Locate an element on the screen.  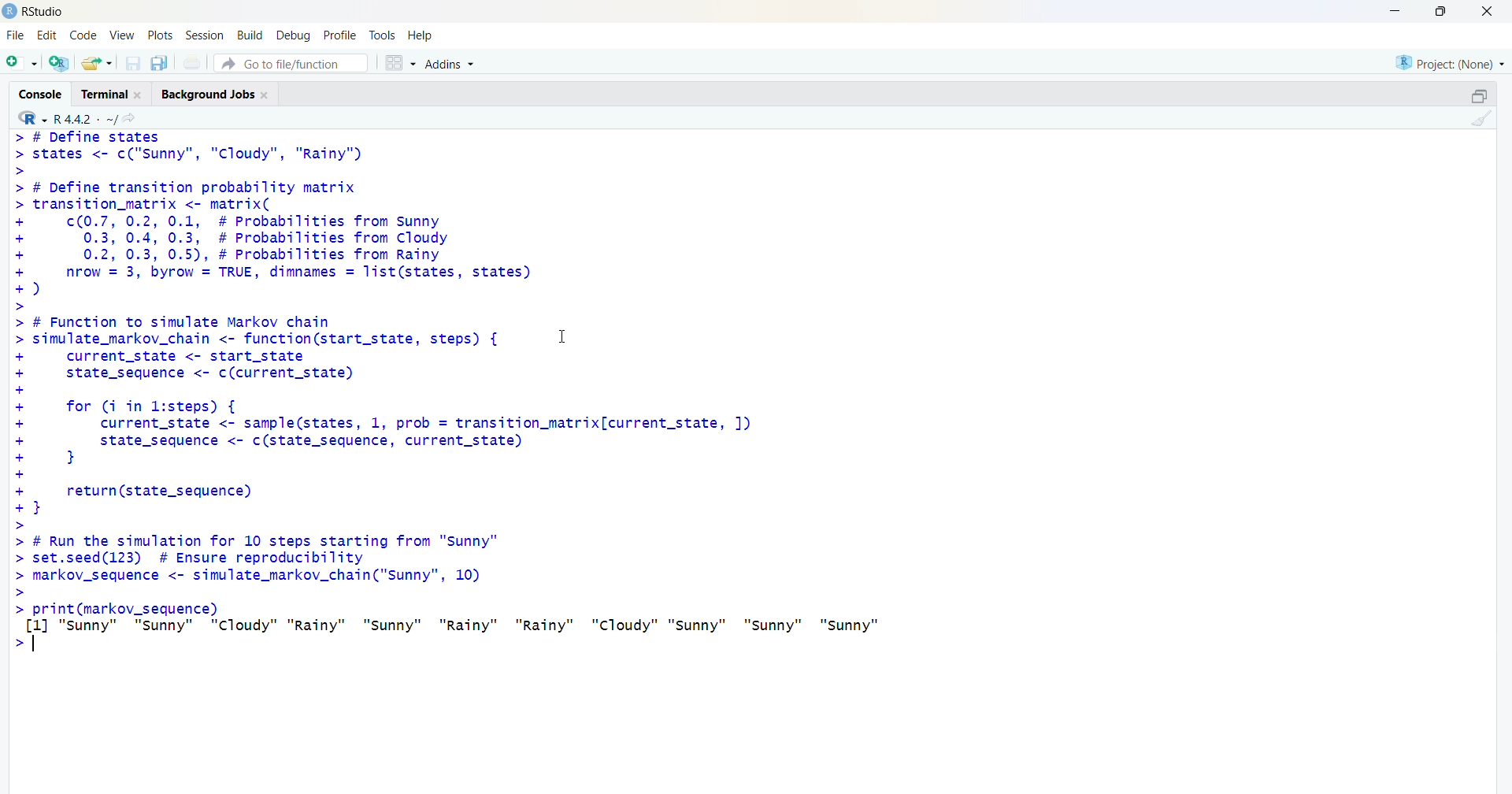
close is located at coordinates (1487, 12).